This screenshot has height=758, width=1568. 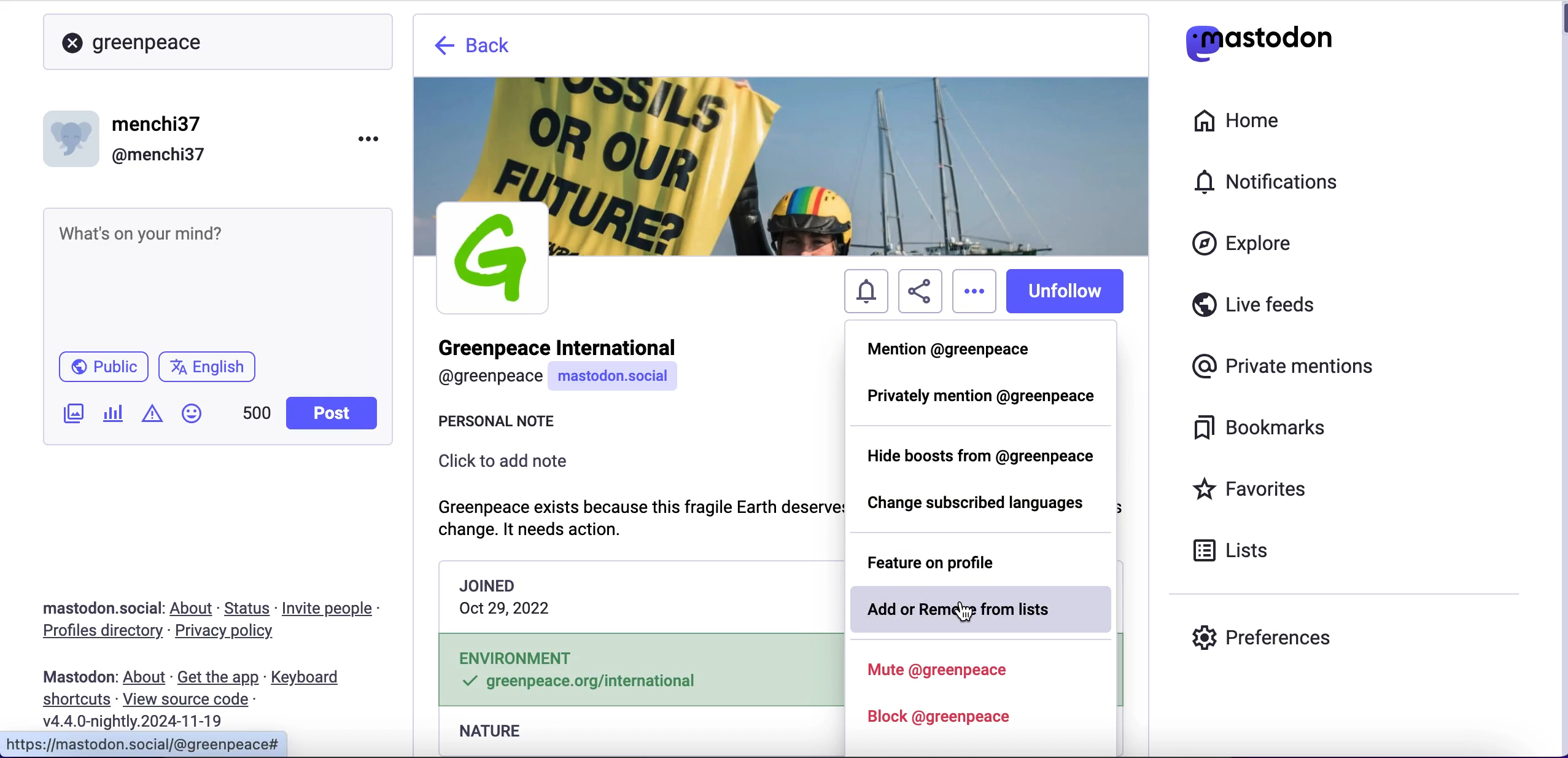 What do you see at coordinates (904, 611) in the screenshot?
I see `add or remove from lists` at bounding box center [904, 611].